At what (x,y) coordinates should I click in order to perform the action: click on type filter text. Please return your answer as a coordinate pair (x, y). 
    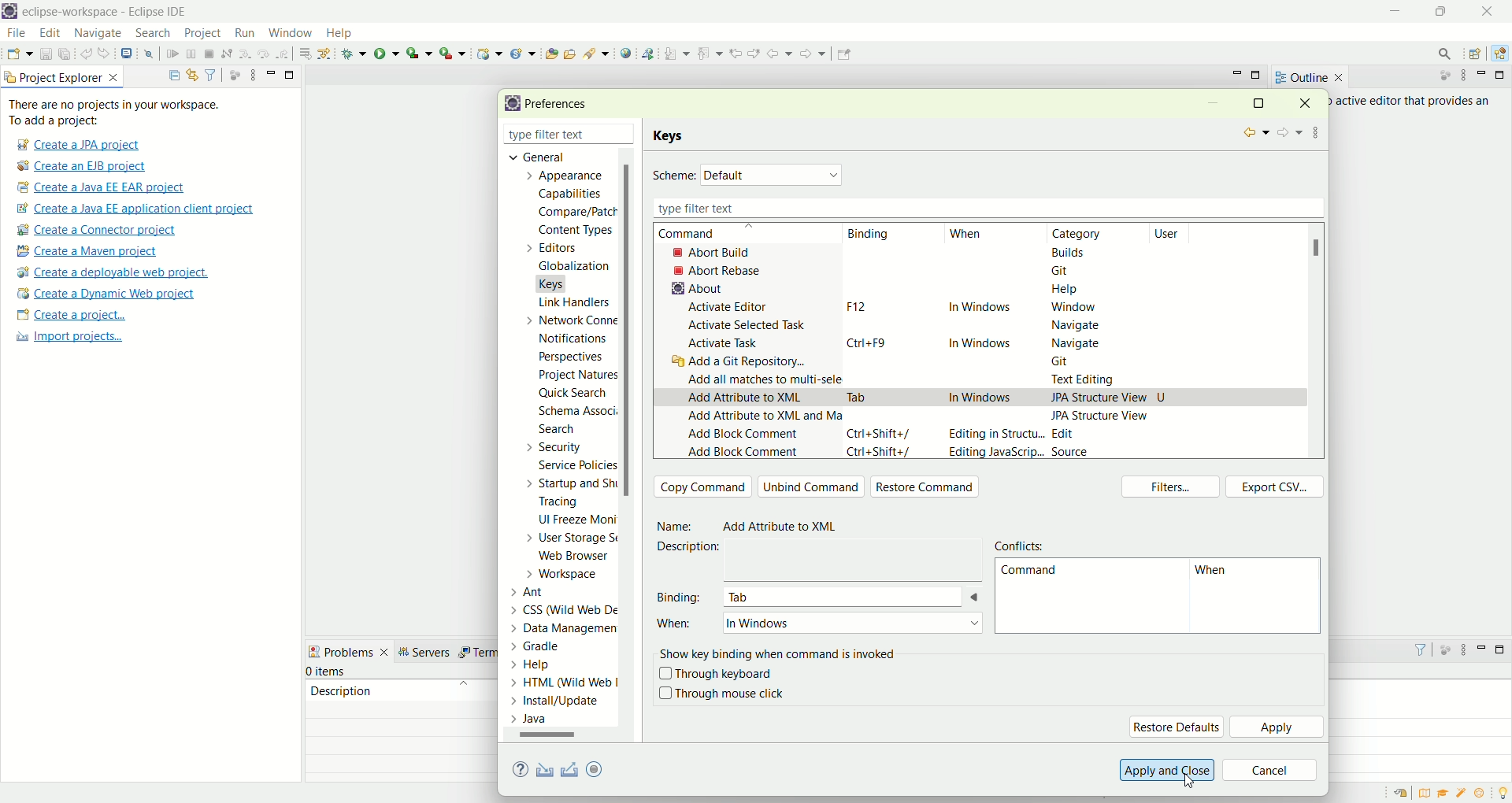
    Looking at the image, I should click on (550, 136).